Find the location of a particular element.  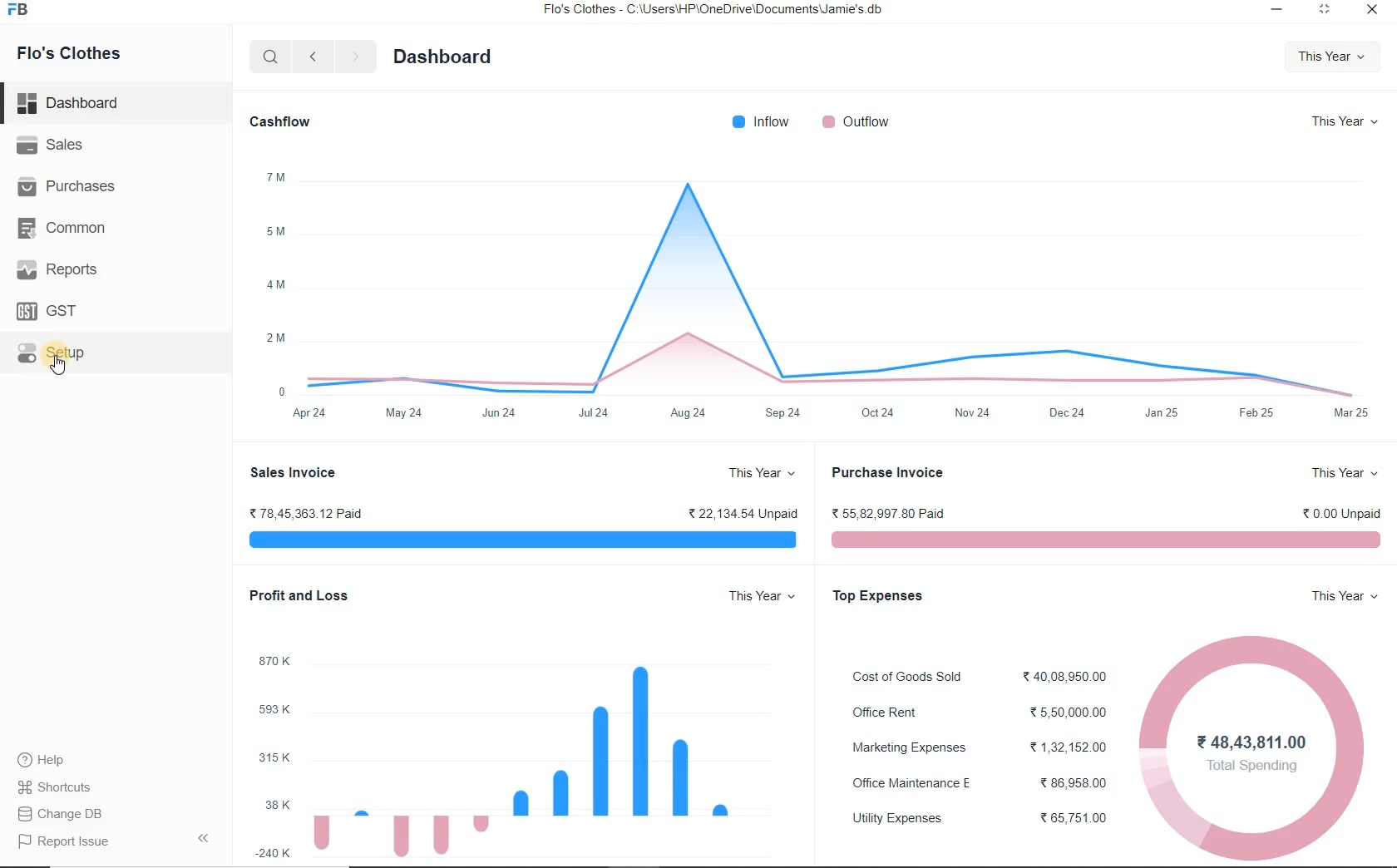

This Year  is located at coordinates (1331, 57).